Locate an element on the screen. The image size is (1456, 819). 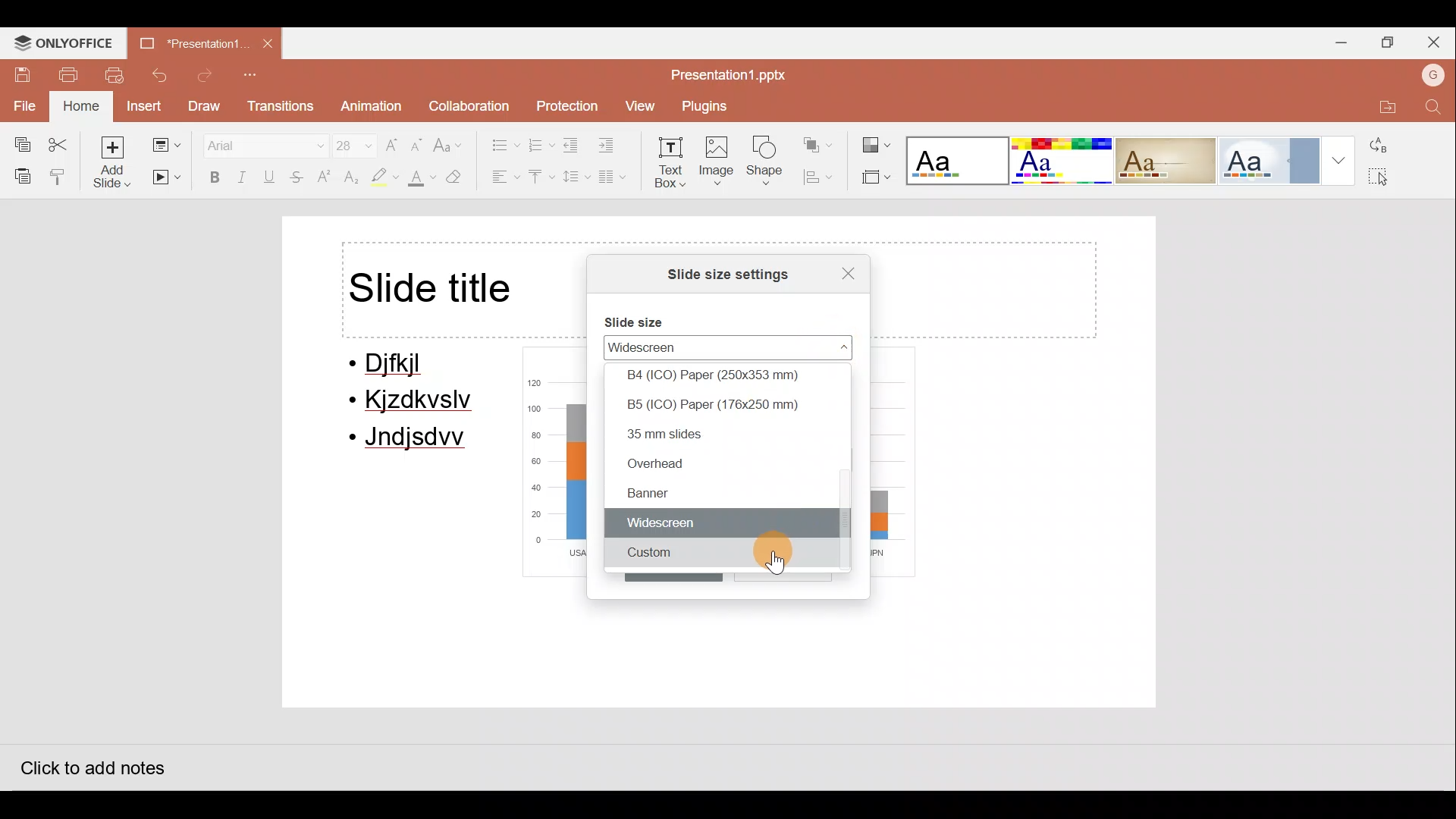
Font name is located at coordinates (256, 143).